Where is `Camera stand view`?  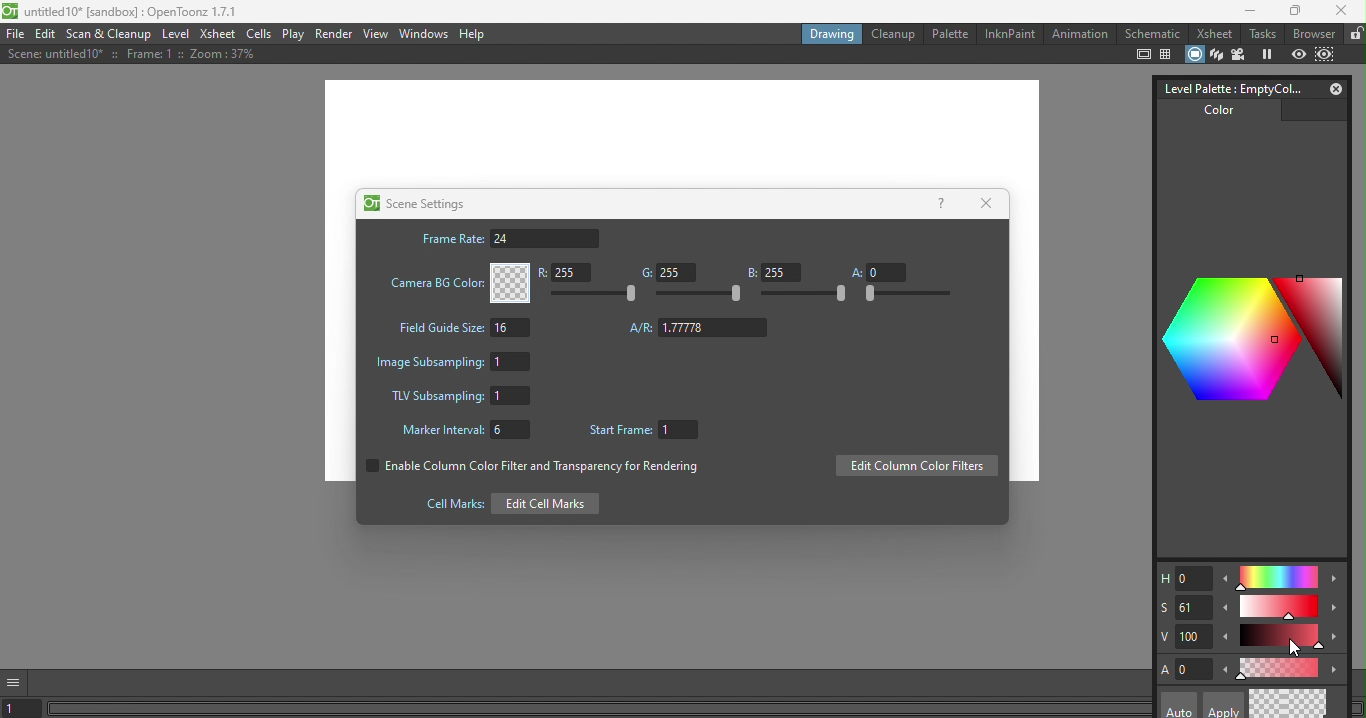 Camera stand view is located at coordinates (1193, 53).